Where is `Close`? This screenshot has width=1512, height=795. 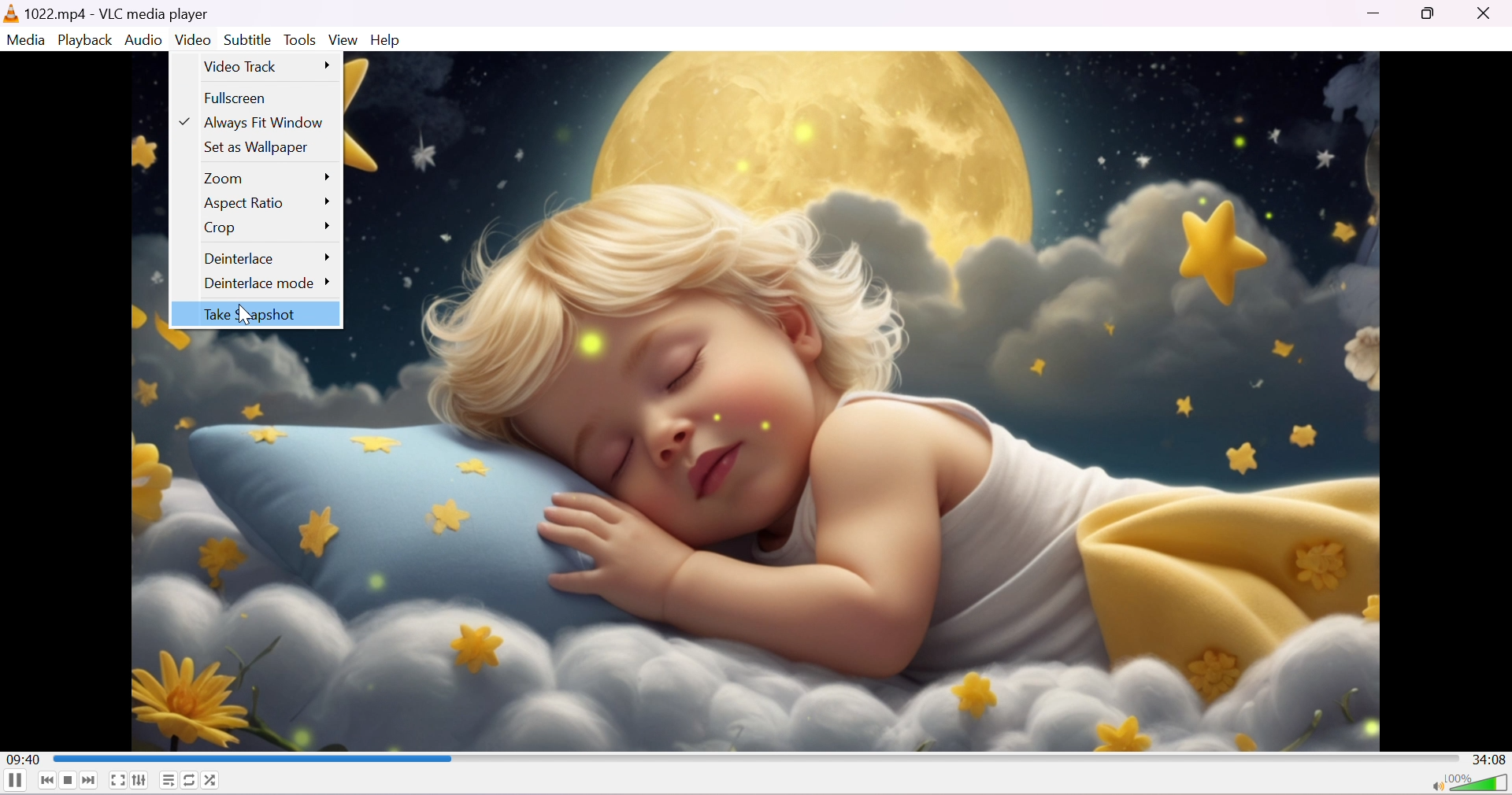
Close is located at coordinates (1488, 13).